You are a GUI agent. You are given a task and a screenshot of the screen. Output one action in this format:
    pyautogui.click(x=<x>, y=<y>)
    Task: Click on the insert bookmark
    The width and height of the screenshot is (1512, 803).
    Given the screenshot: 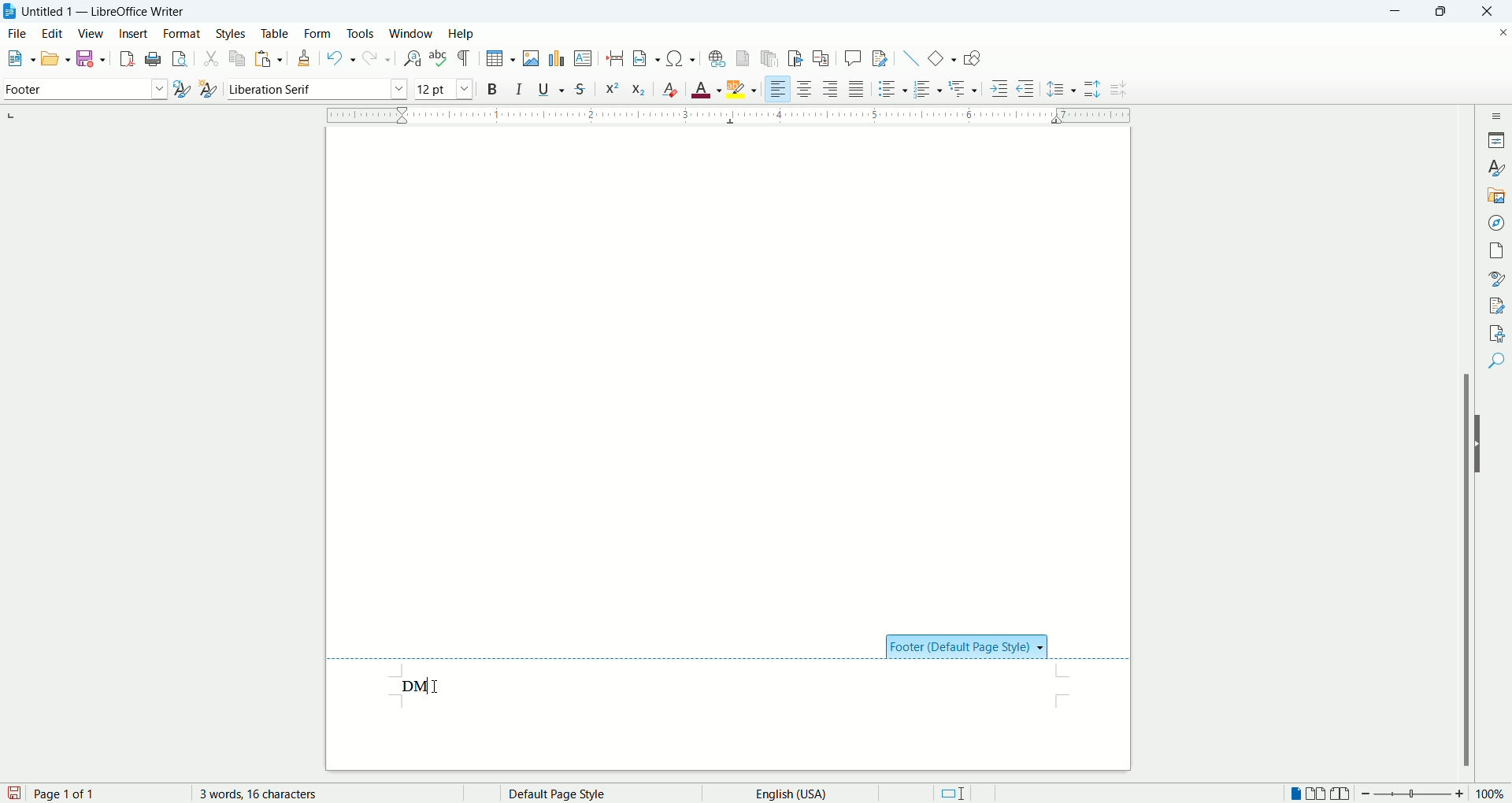 What is the action you would take?
    pyautogui.click(x=799, y=58)
    